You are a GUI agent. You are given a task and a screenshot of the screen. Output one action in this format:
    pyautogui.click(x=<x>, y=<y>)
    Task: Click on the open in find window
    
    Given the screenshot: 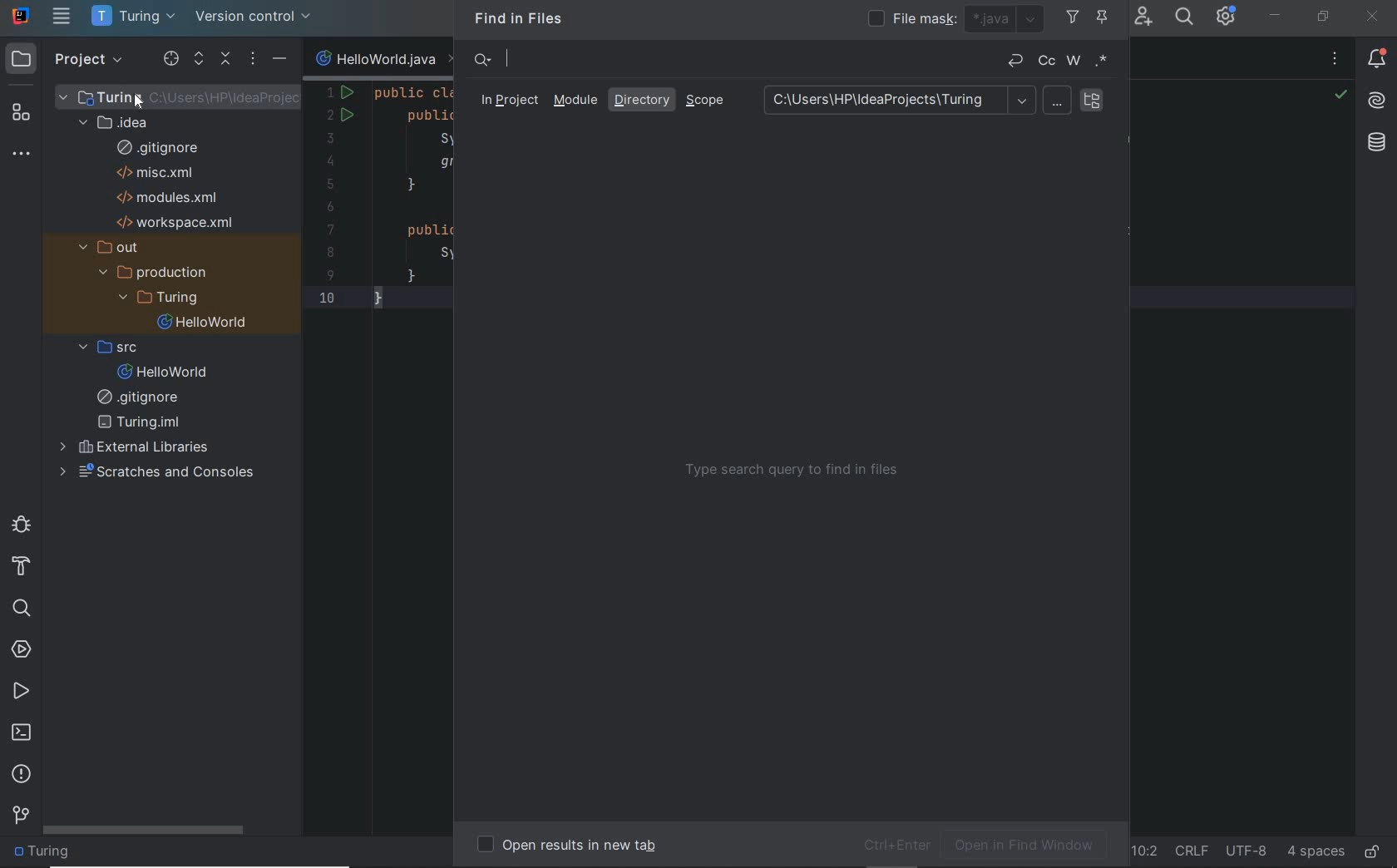 What is the action you would take?
    pyautogui.click(x=1035, y=845)
    